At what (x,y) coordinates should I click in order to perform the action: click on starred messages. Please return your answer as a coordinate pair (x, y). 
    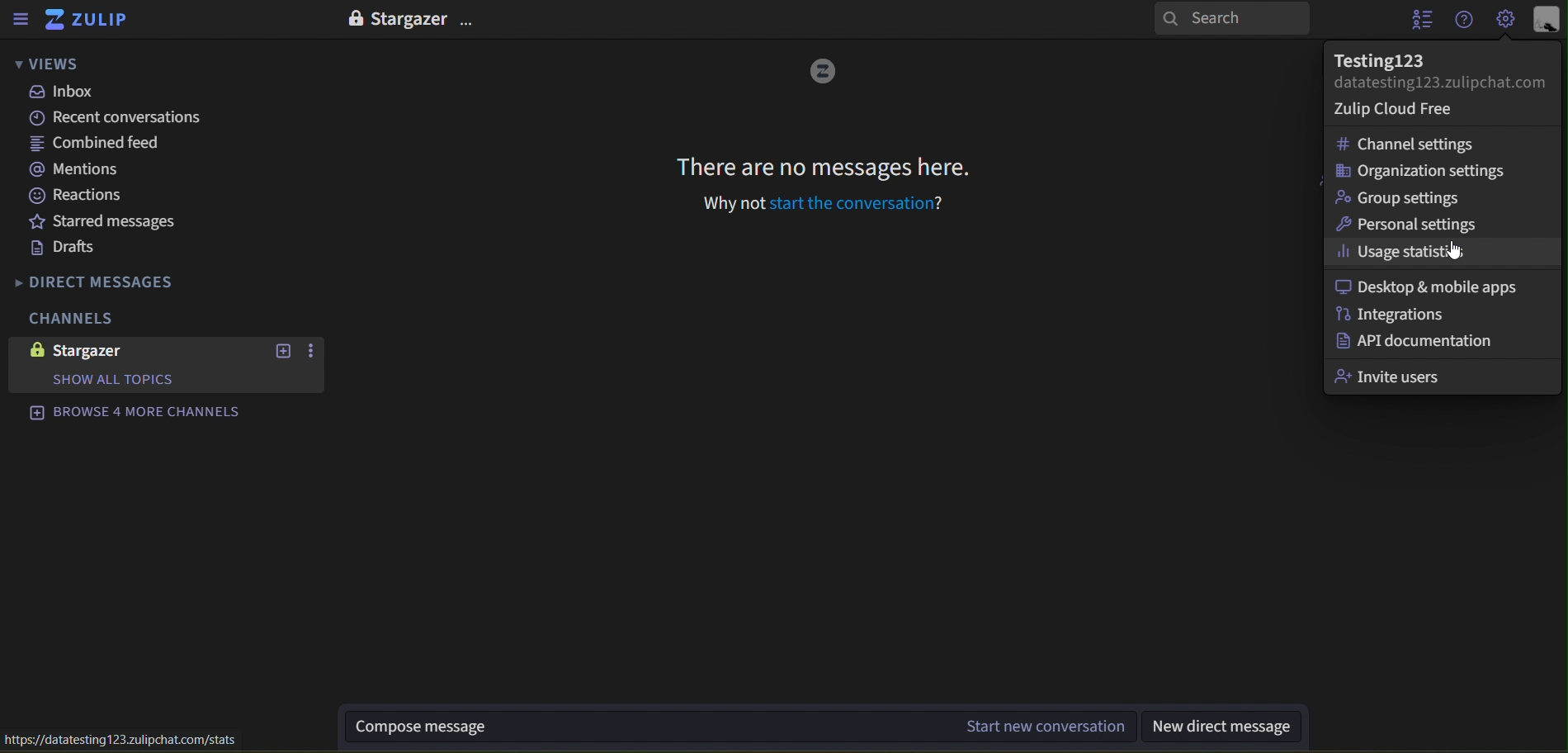
    Looking at the image, I should click on (115, 222).